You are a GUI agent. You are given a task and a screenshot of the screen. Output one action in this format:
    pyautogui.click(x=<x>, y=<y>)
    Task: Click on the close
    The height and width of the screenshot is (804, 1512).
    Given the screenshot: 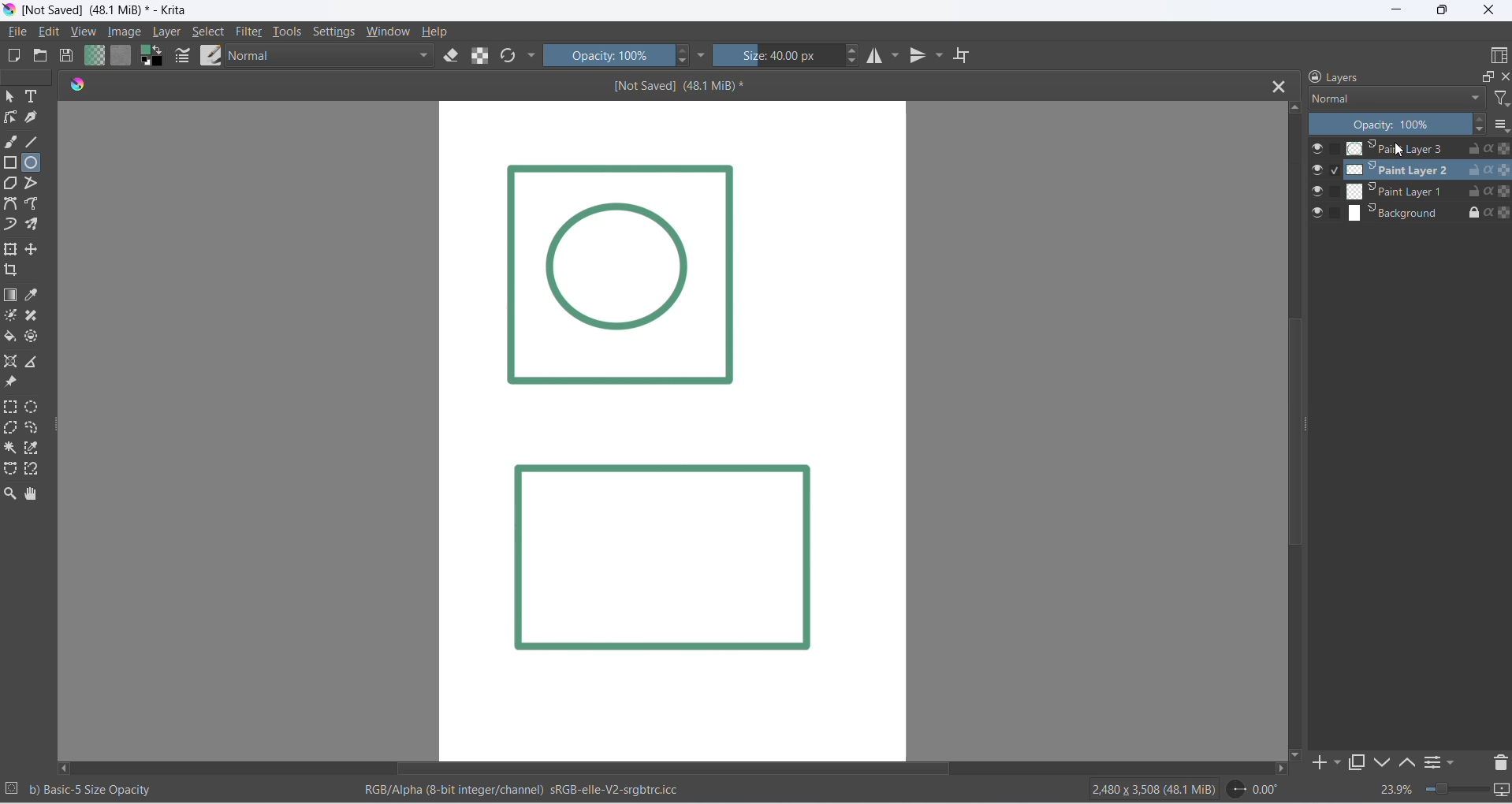 What is the action you would take?
    pyautogui.click(x=1490, y=11)
    